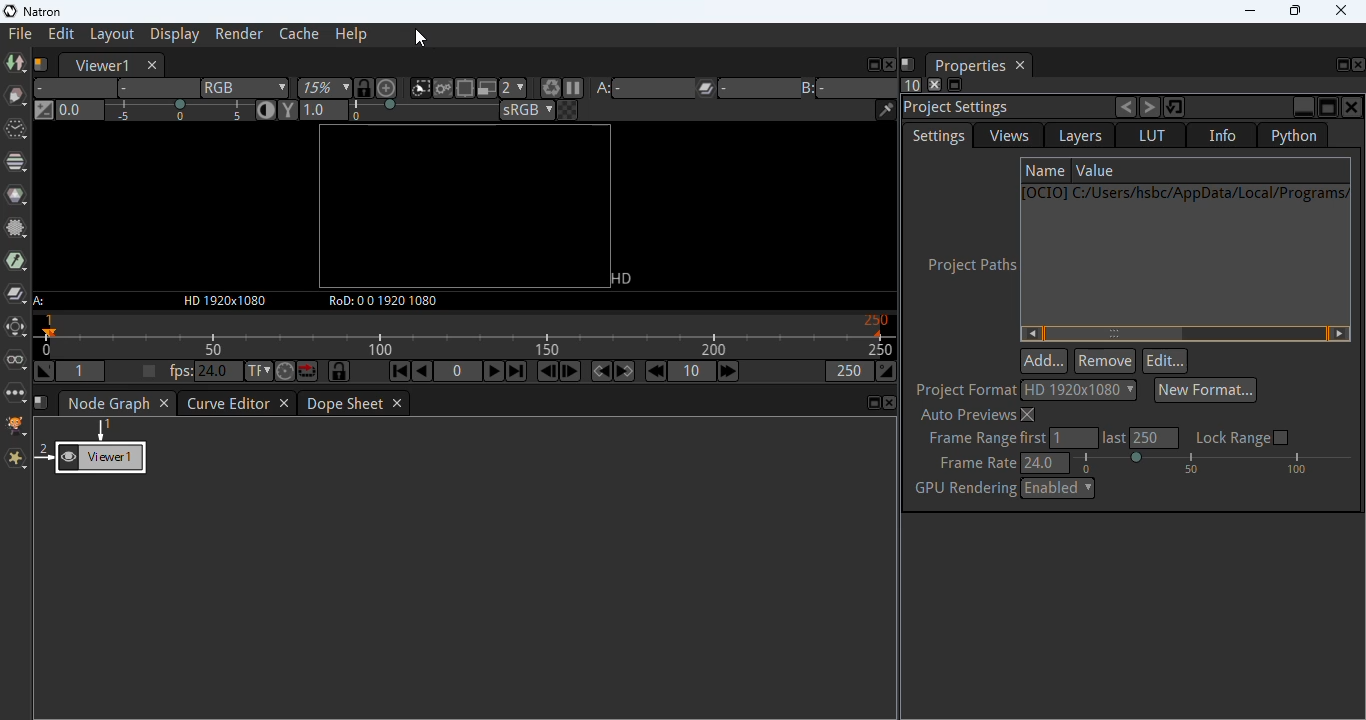  Describe the element at coordinates (388, 87) in the screenshot. I see `scales the image so it doesn't exceed the size of the viewer and centers it.` at that location.